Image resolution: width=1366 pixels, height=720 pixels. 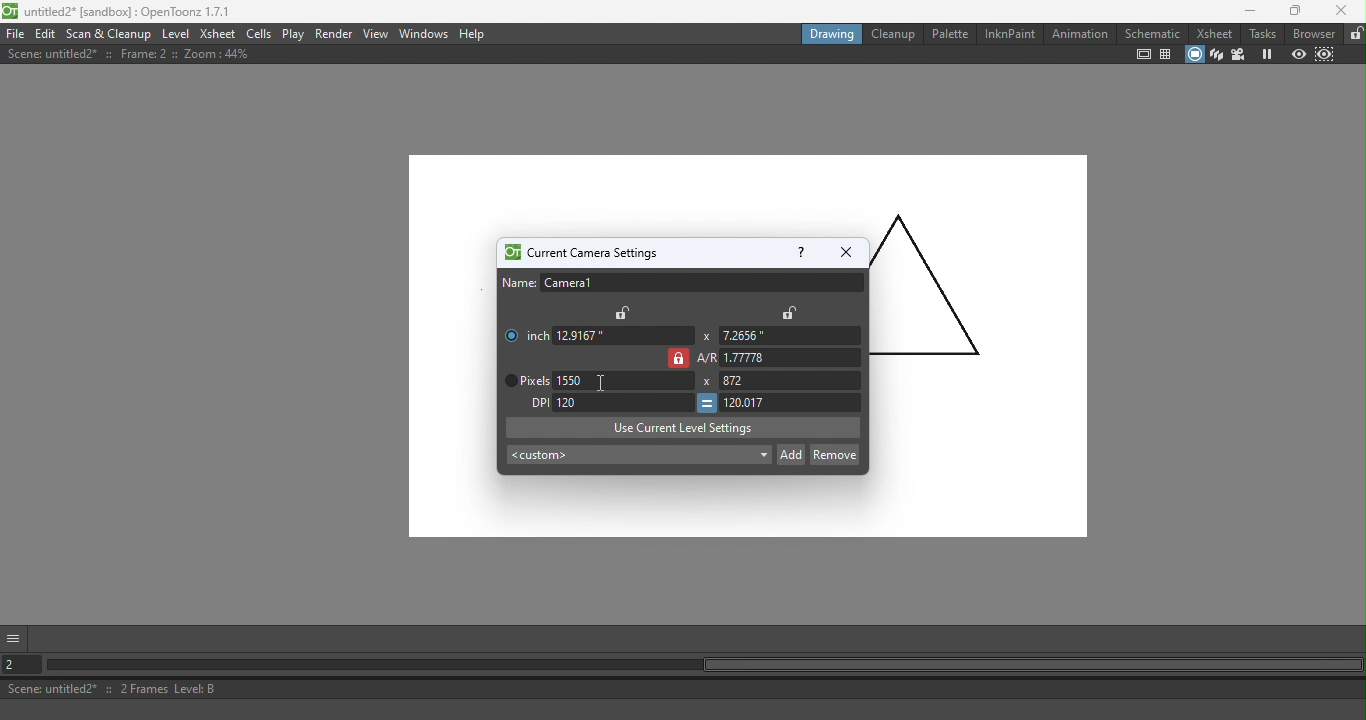 What do you see at coordinates (15, 33) in the screenshot?
I see `File` at bounding box center [15, 33].